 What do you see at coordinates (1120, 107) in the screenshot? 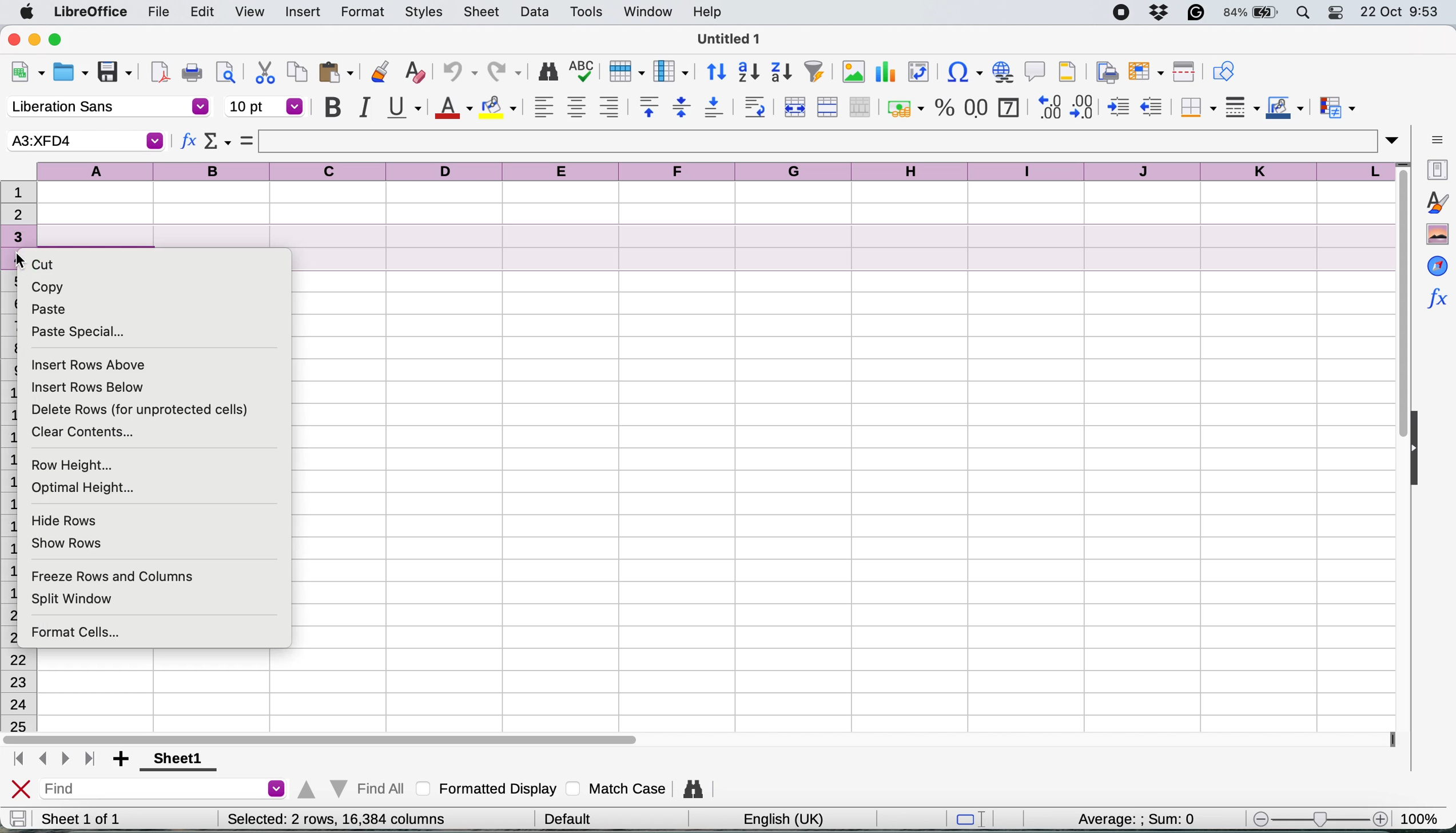
I see `increase indent` at bounding box center [1120, 107].